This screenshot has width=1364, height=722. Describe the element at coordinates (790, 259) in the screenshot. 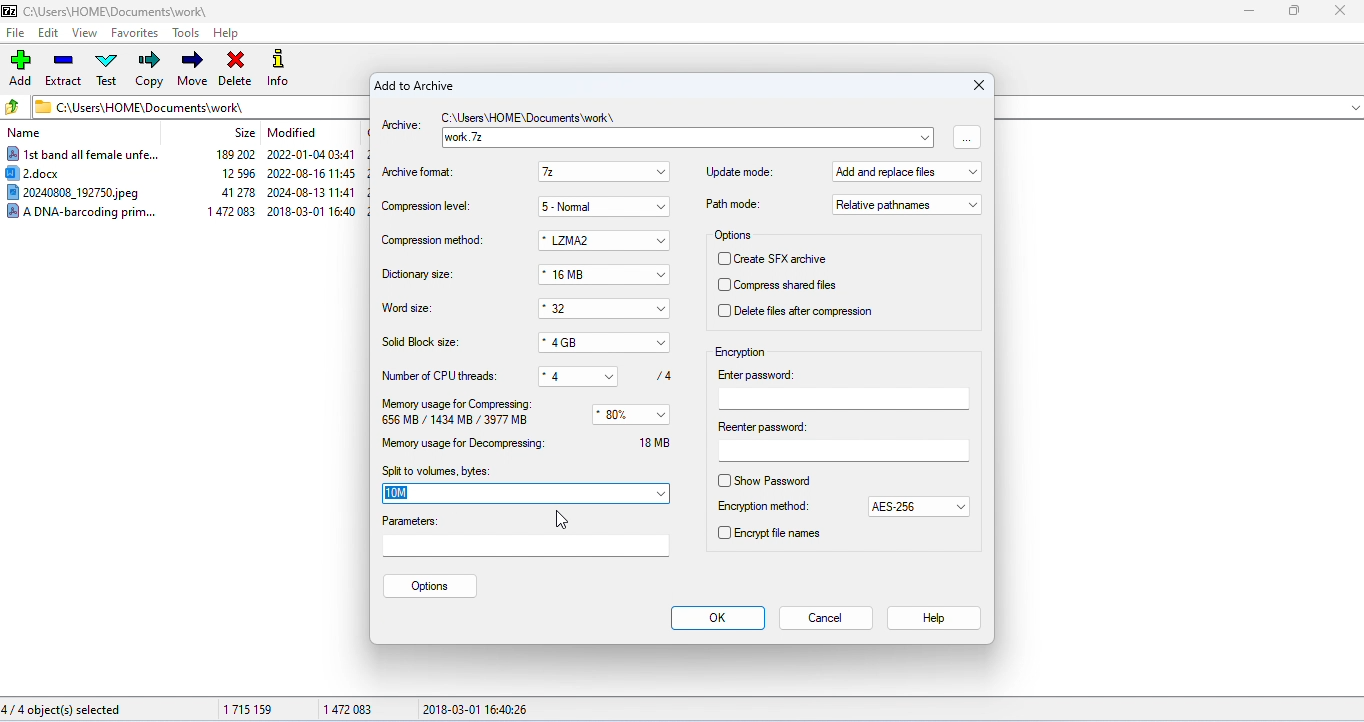

I see `create SFX archieve` at that location.